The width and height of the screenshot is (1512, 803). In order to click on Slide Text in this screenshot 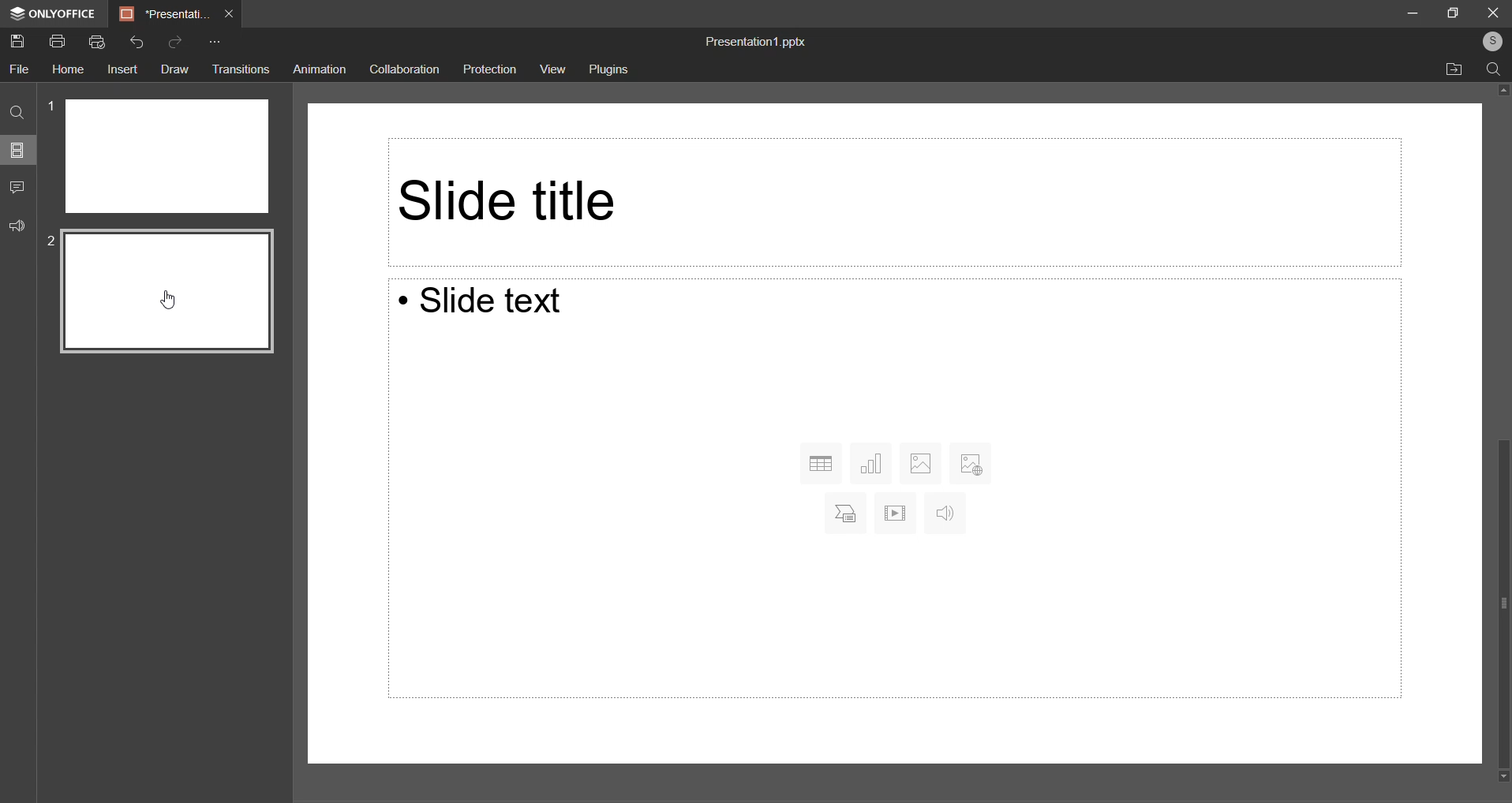, I will do `click(494, 304)`.